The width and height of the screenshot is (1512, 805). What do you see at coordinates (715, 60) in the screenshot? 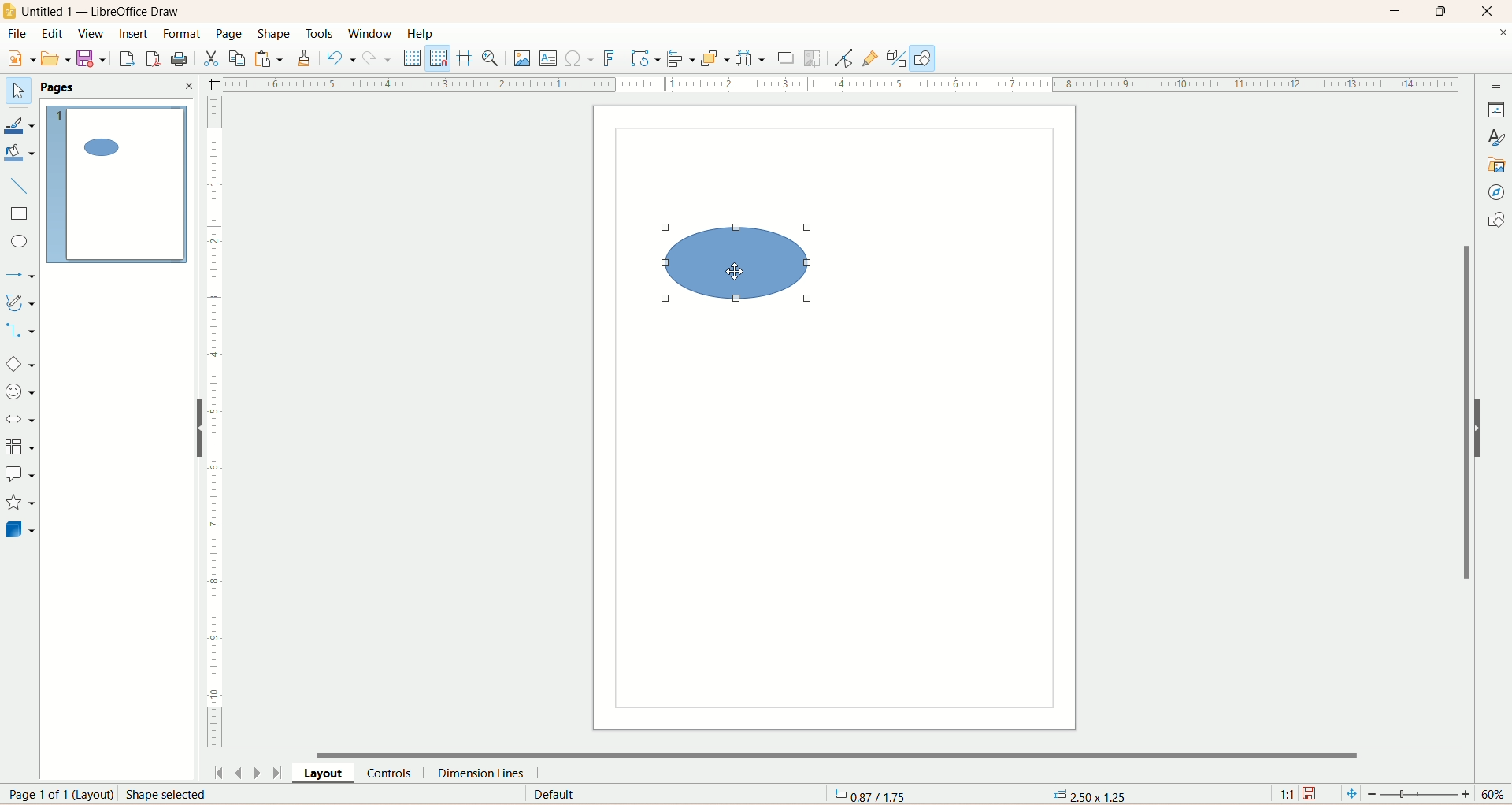
I see `arrange` at bounding box center [715, 60].